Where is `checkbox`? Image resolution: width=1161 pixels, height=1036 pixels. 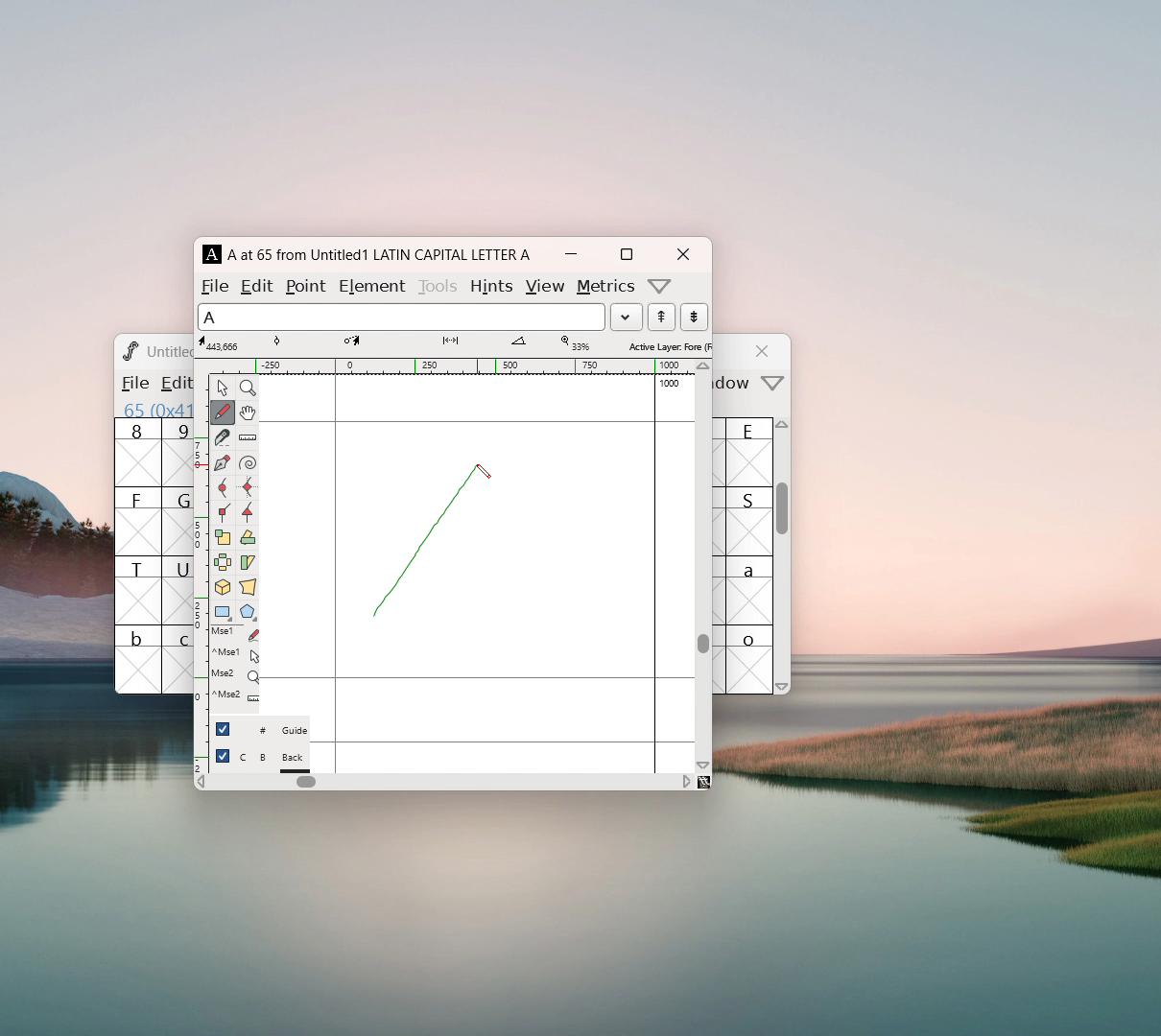
checkbox is located at coordinates (223, 728).